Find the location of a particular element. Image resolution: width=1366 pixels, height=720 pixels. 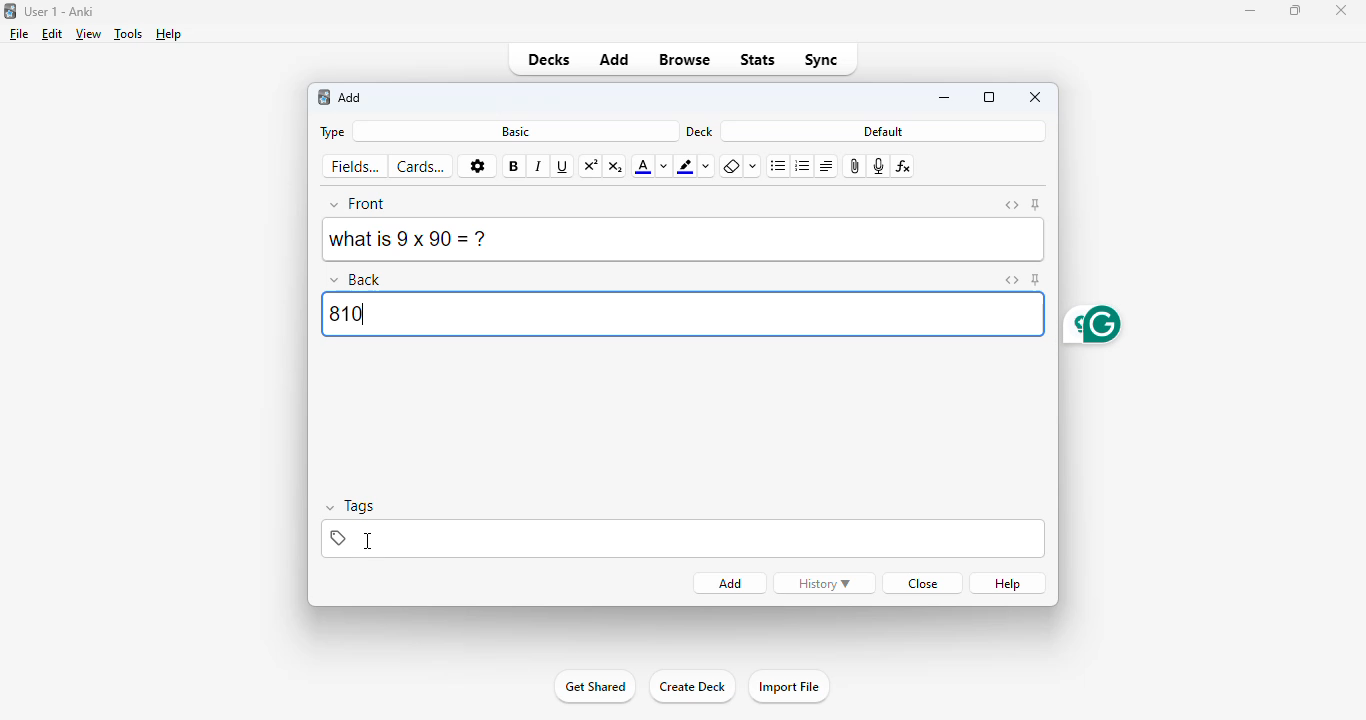

stats is located at coordinates (758, 61).